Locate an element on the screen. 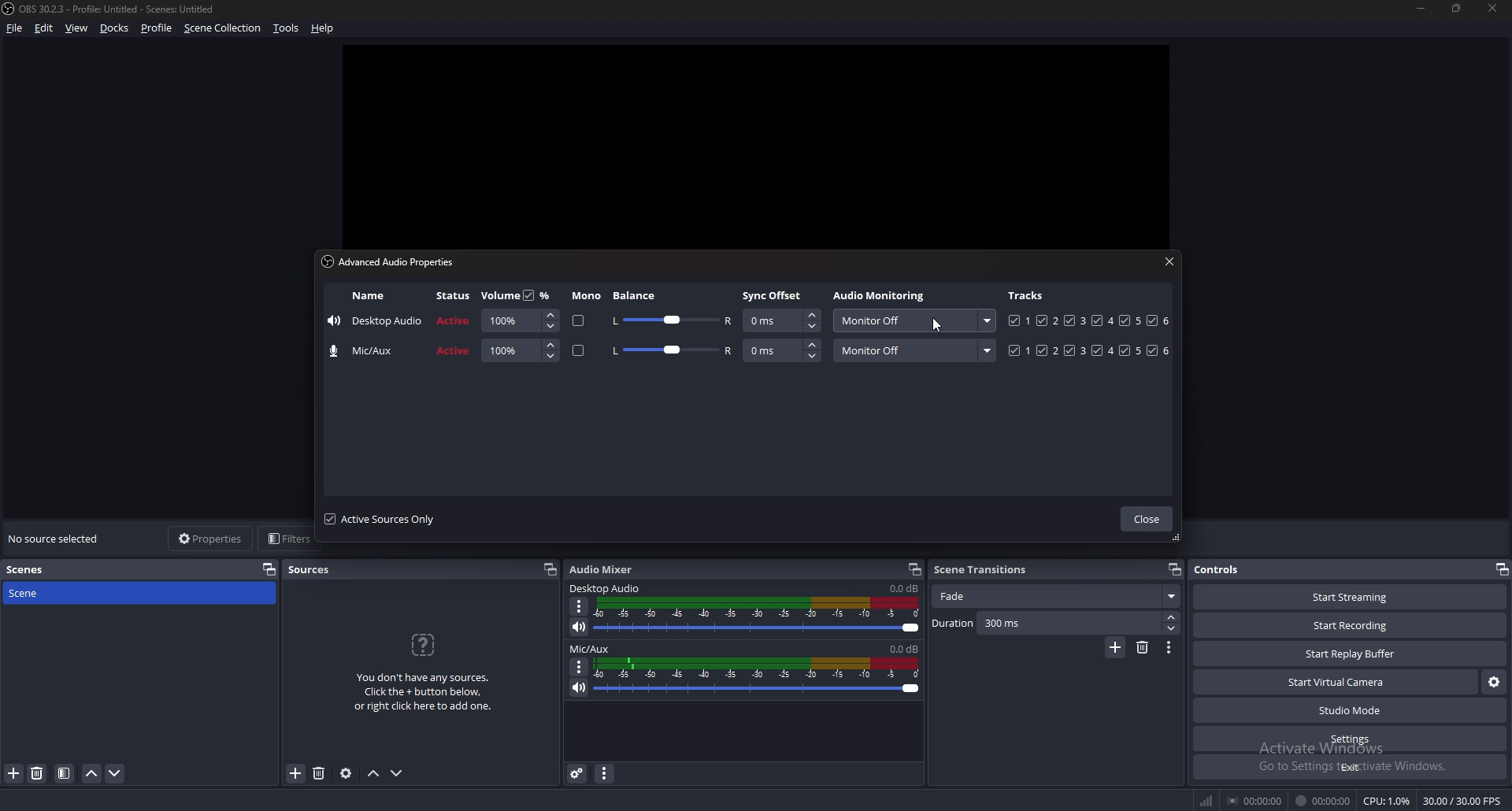 Image resolution: width=1512 pixels, height=811 pixels. audio monitoring is located at coordinates (880, 294).